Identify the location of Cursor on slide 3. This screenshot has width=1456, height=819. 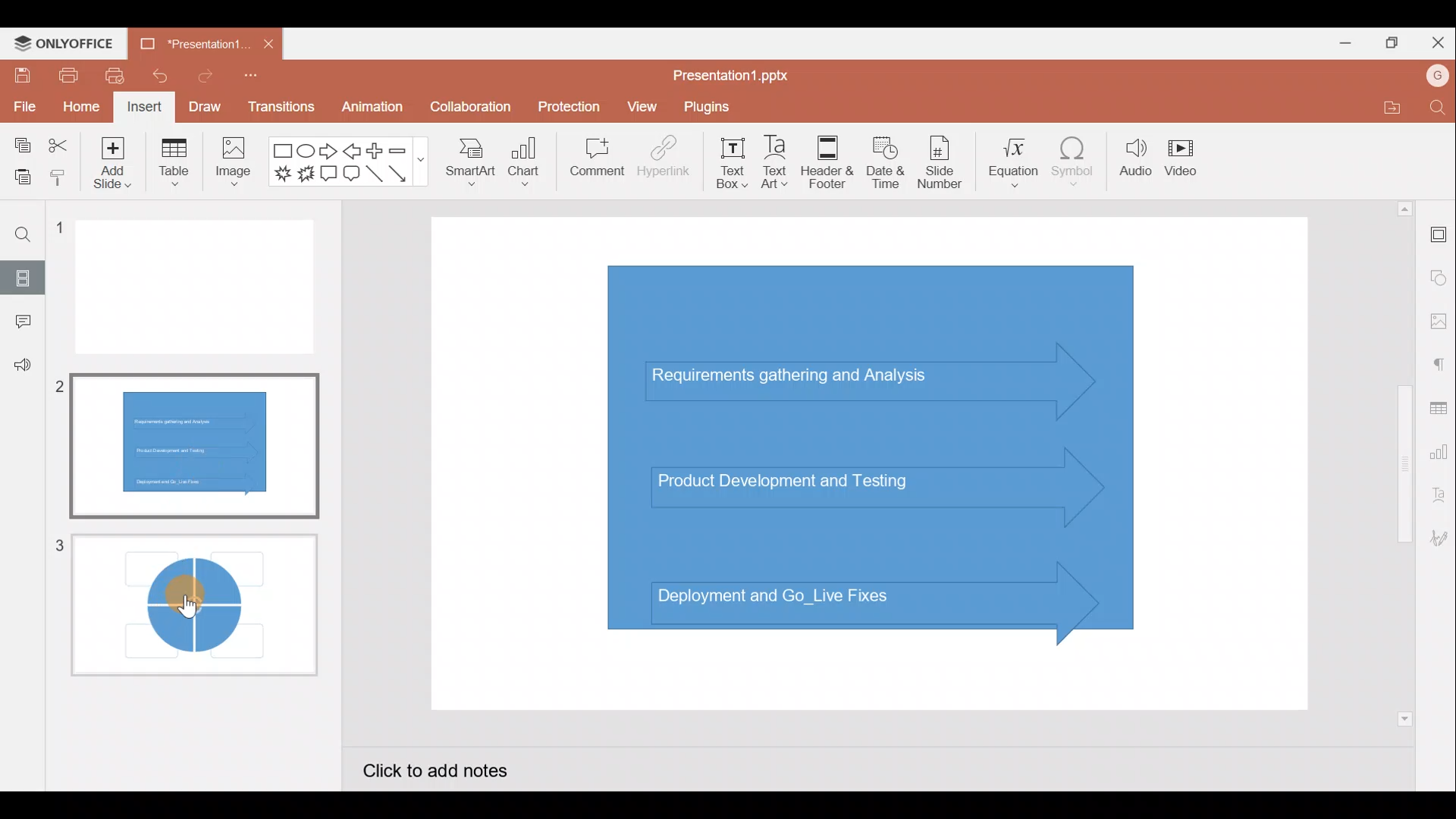
(197, 595).